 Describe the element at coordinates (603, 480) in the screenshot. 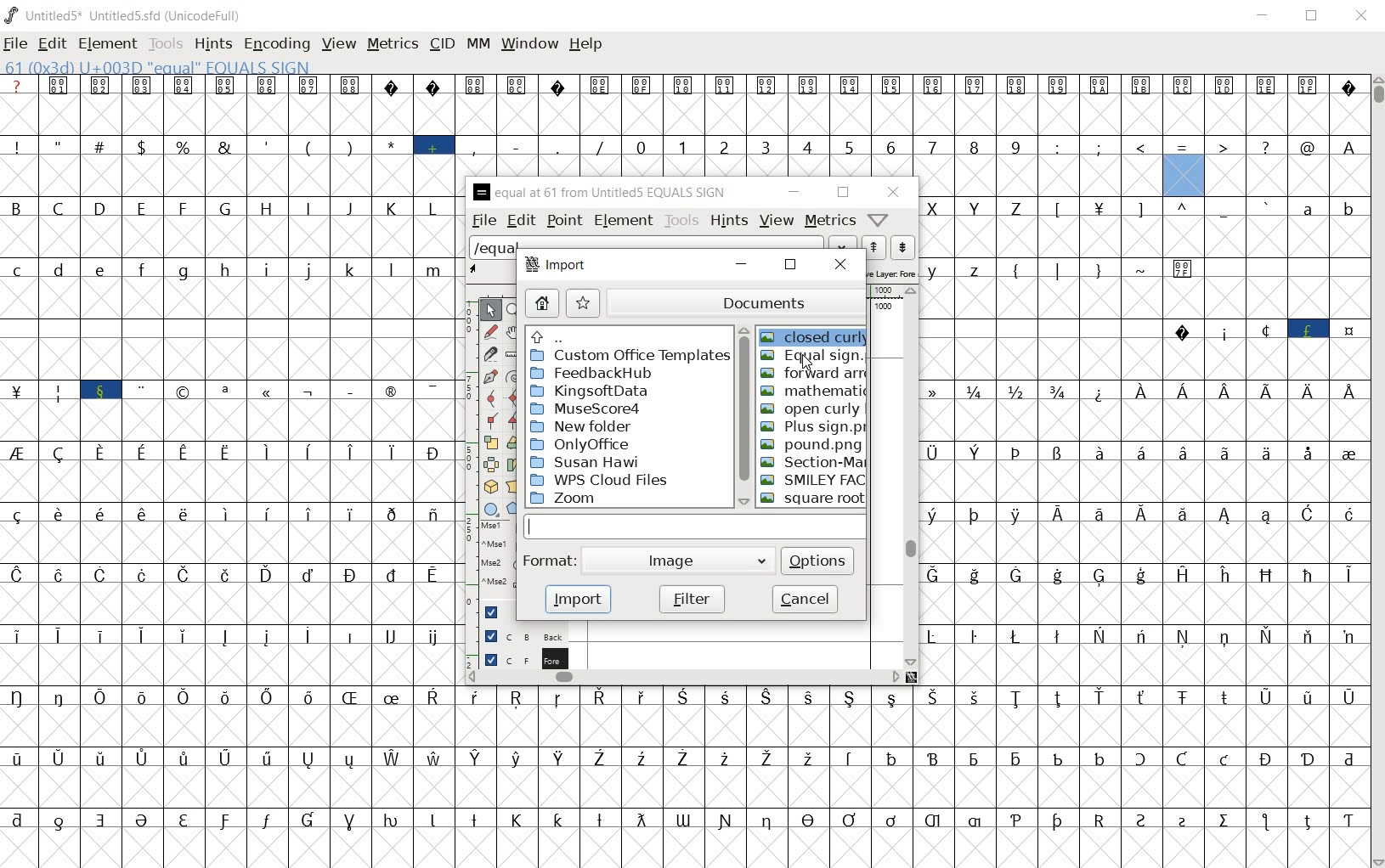

I see `WPS CLOUD FILES` at that location.